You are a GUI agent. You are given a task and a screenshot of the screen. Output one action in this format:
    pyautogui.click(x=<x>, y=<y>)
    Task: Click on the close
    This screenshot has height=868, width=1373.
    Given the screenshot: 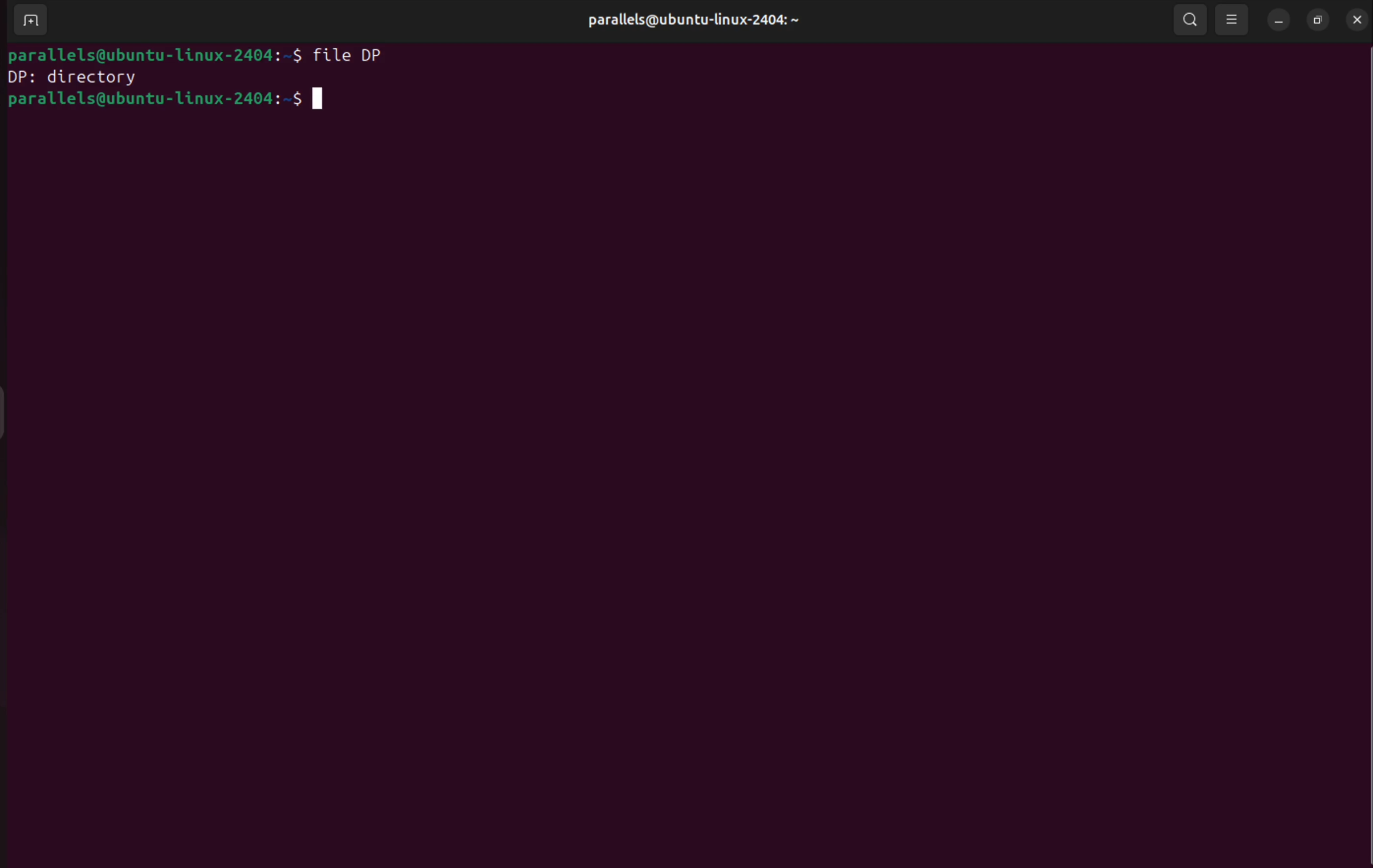 What is the action you would take?
    pyautogui.click(x=1358, y=21)
    